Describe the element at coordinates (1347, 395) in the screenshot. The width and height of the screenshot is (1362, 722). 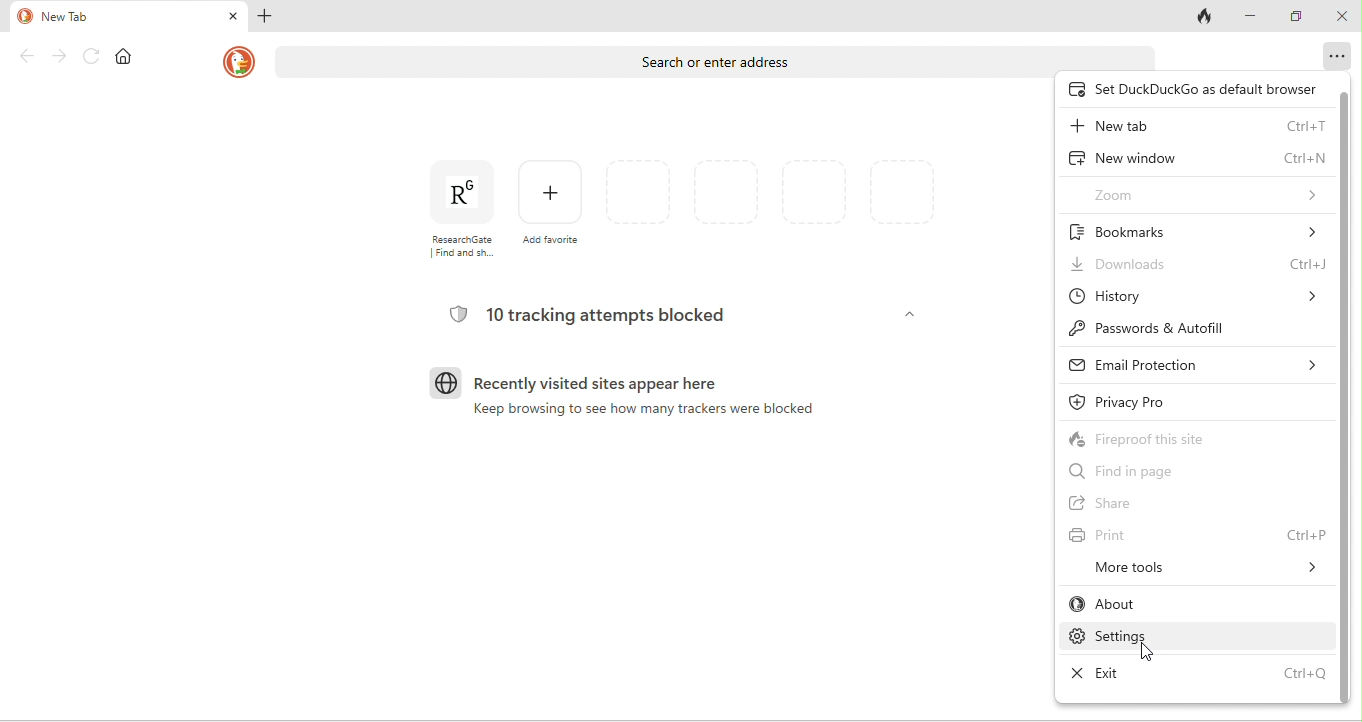
I see `vertical scroll bar` at that location.